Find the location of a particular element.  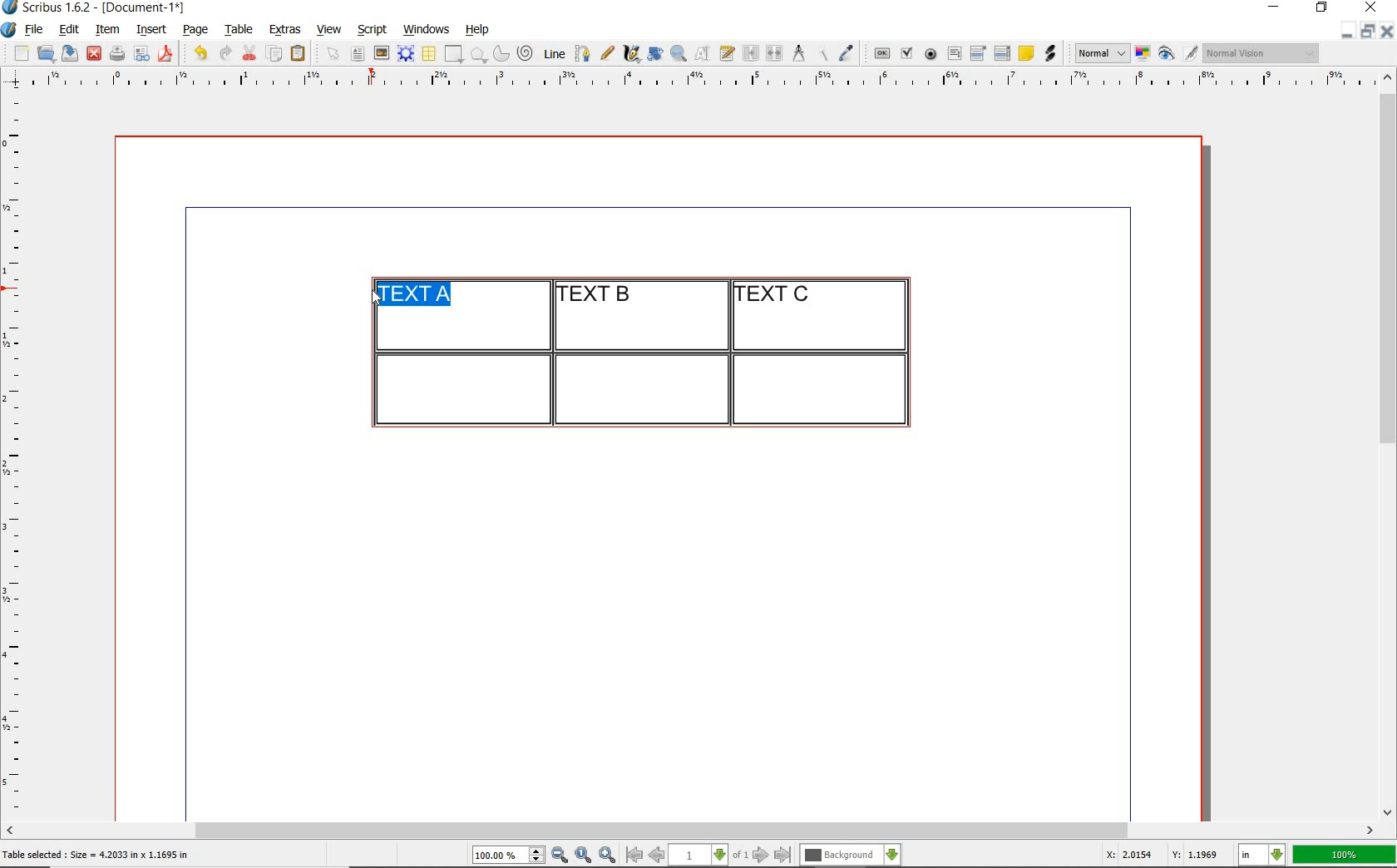

select is located at coordinates (334, 55).